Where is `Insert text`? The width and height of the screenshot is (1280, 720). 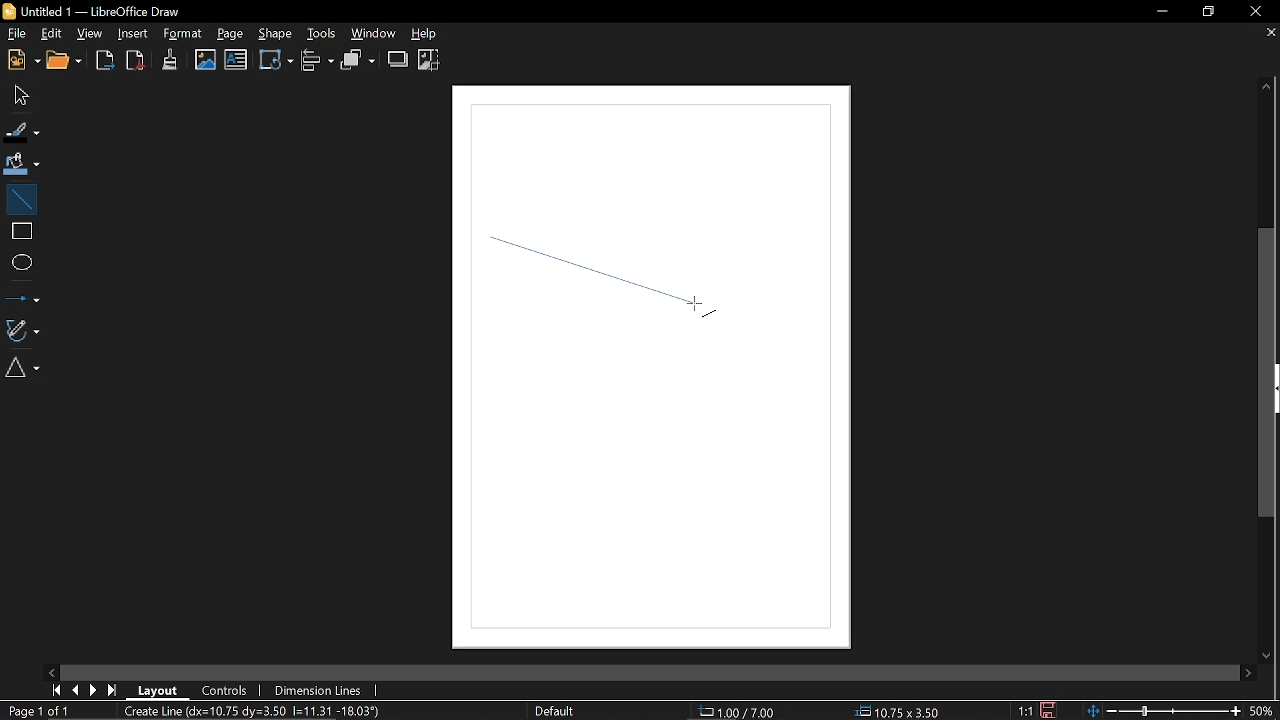 Insert text is located at coordinates (236, 61).